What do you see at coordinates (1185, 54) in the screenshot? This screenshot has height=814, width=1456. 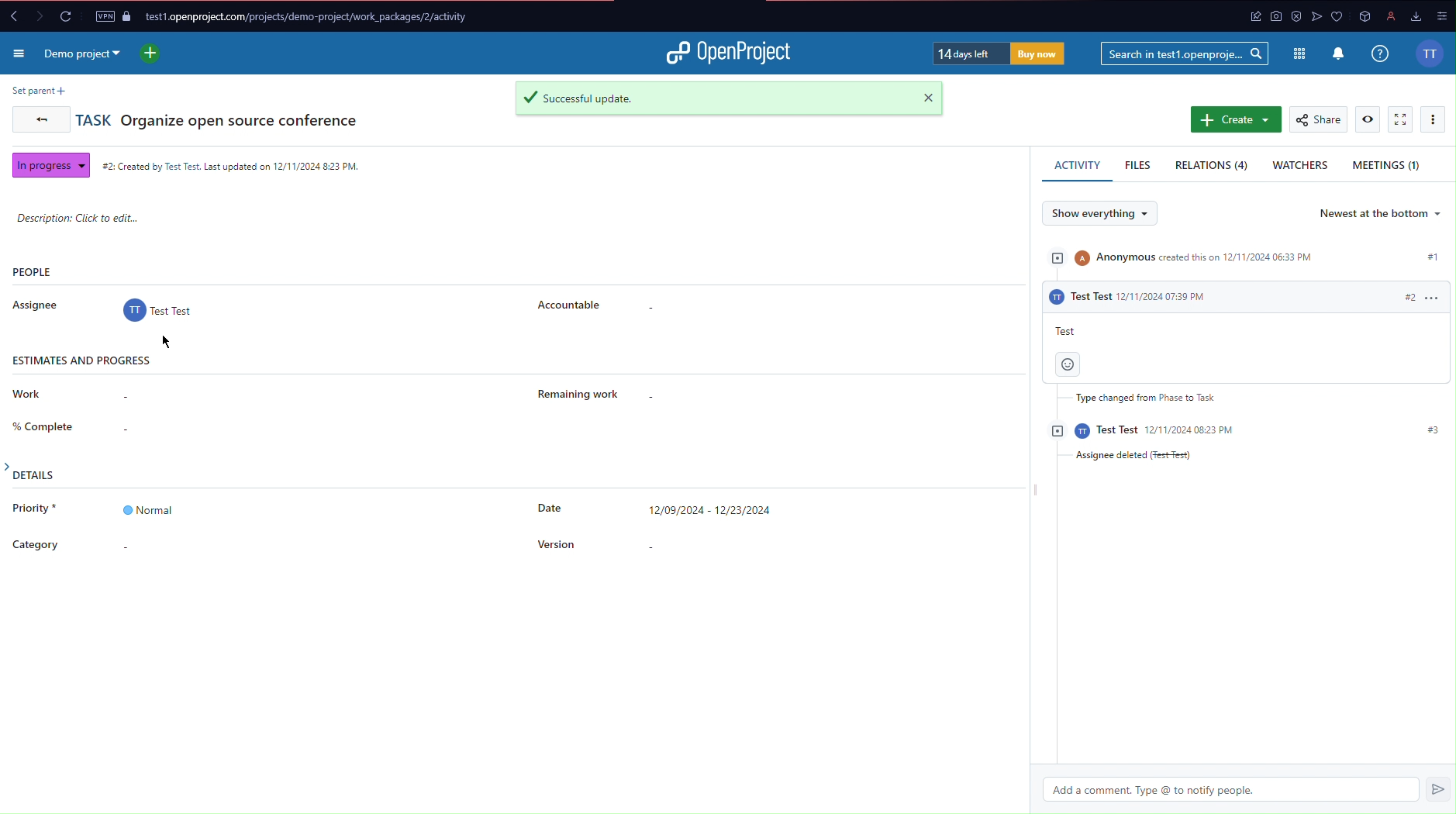 I see `Searchbar` at bounding box center [1185, 54].